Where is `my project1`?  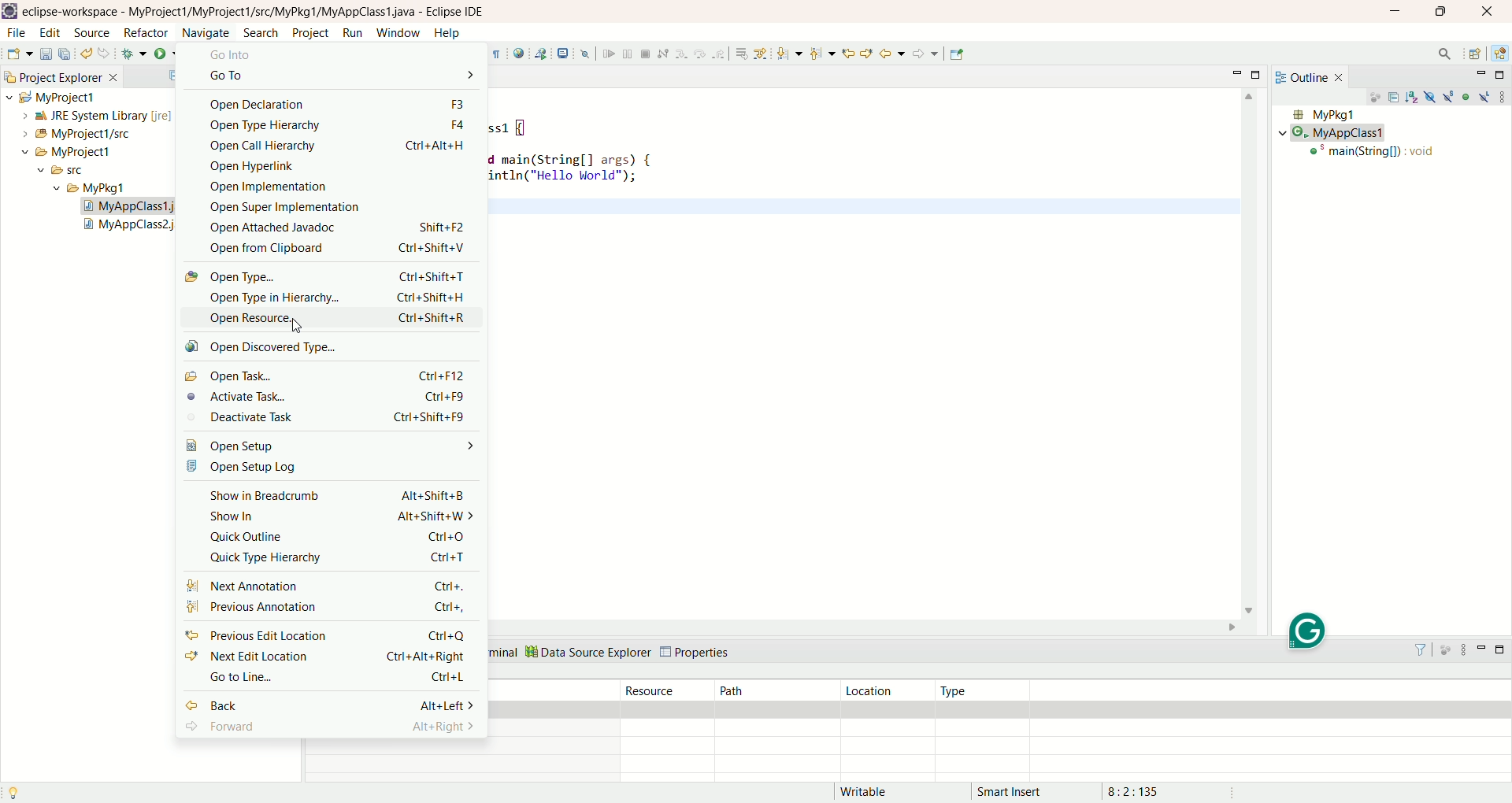
my project1 is located at coordinates (49, 97).